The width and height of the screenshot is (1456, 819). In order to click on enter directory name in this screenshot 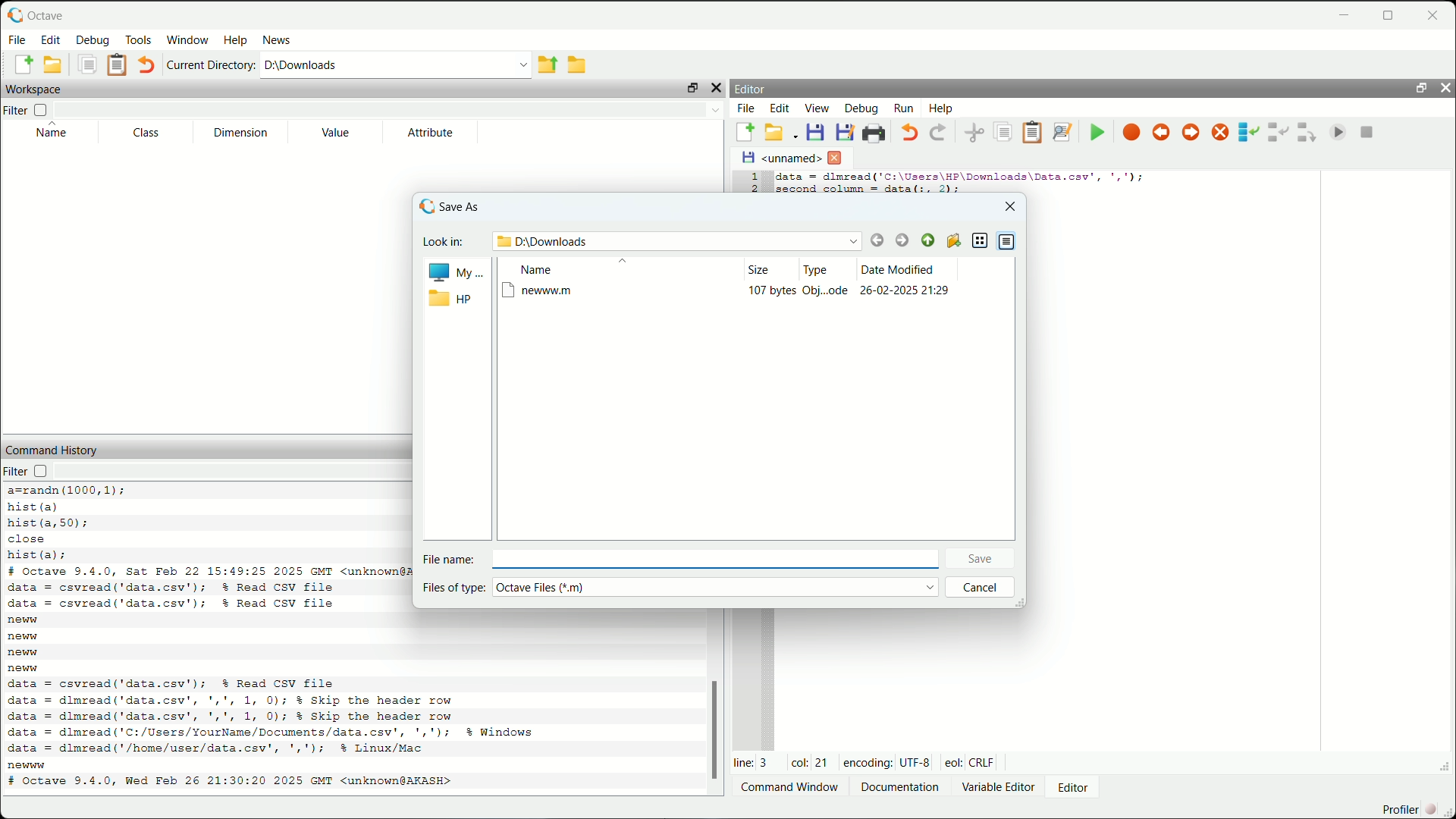, I will do `click(395, 65)`.